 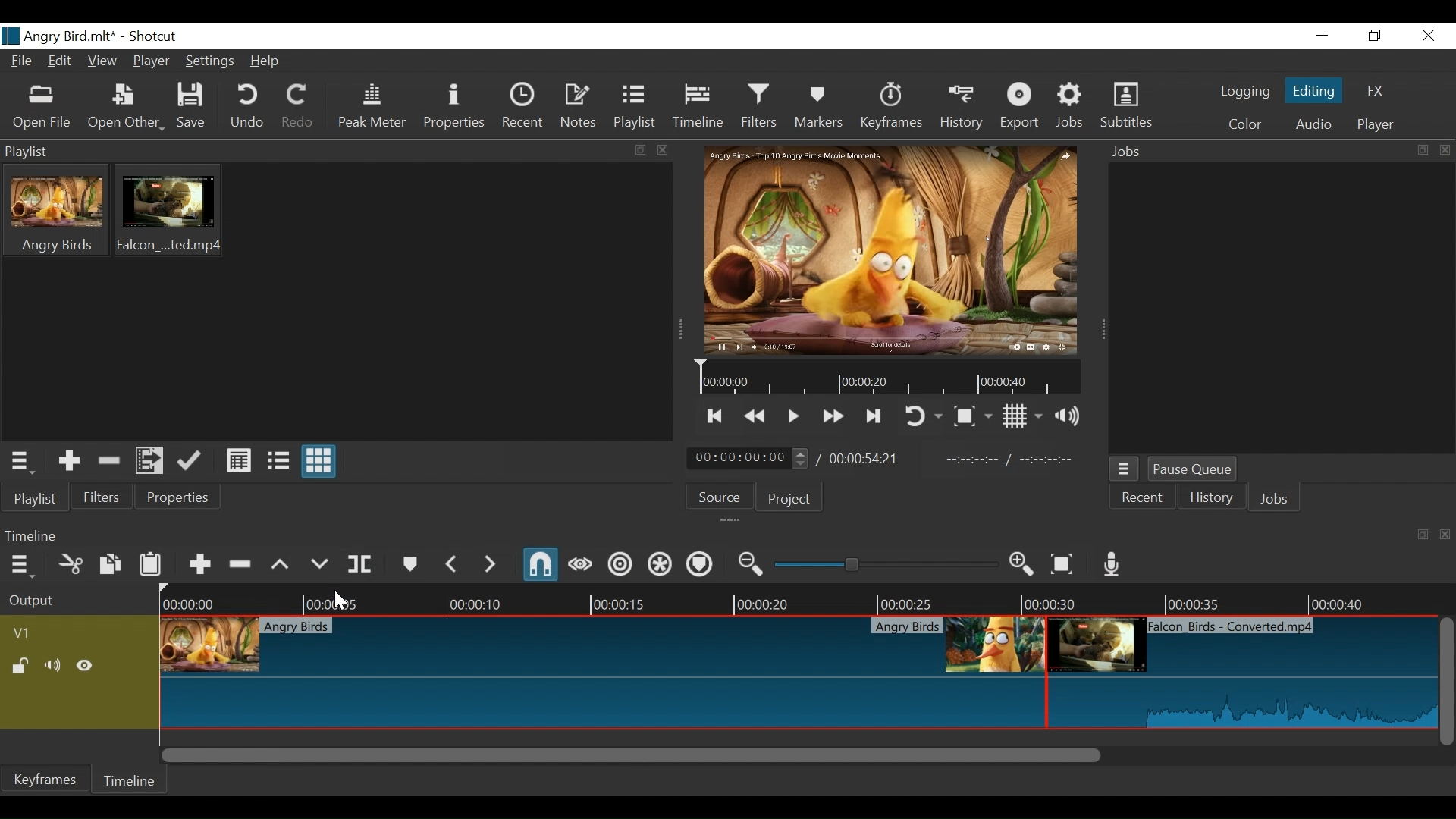 I want to click on Redo, so click(x=299, y=106).